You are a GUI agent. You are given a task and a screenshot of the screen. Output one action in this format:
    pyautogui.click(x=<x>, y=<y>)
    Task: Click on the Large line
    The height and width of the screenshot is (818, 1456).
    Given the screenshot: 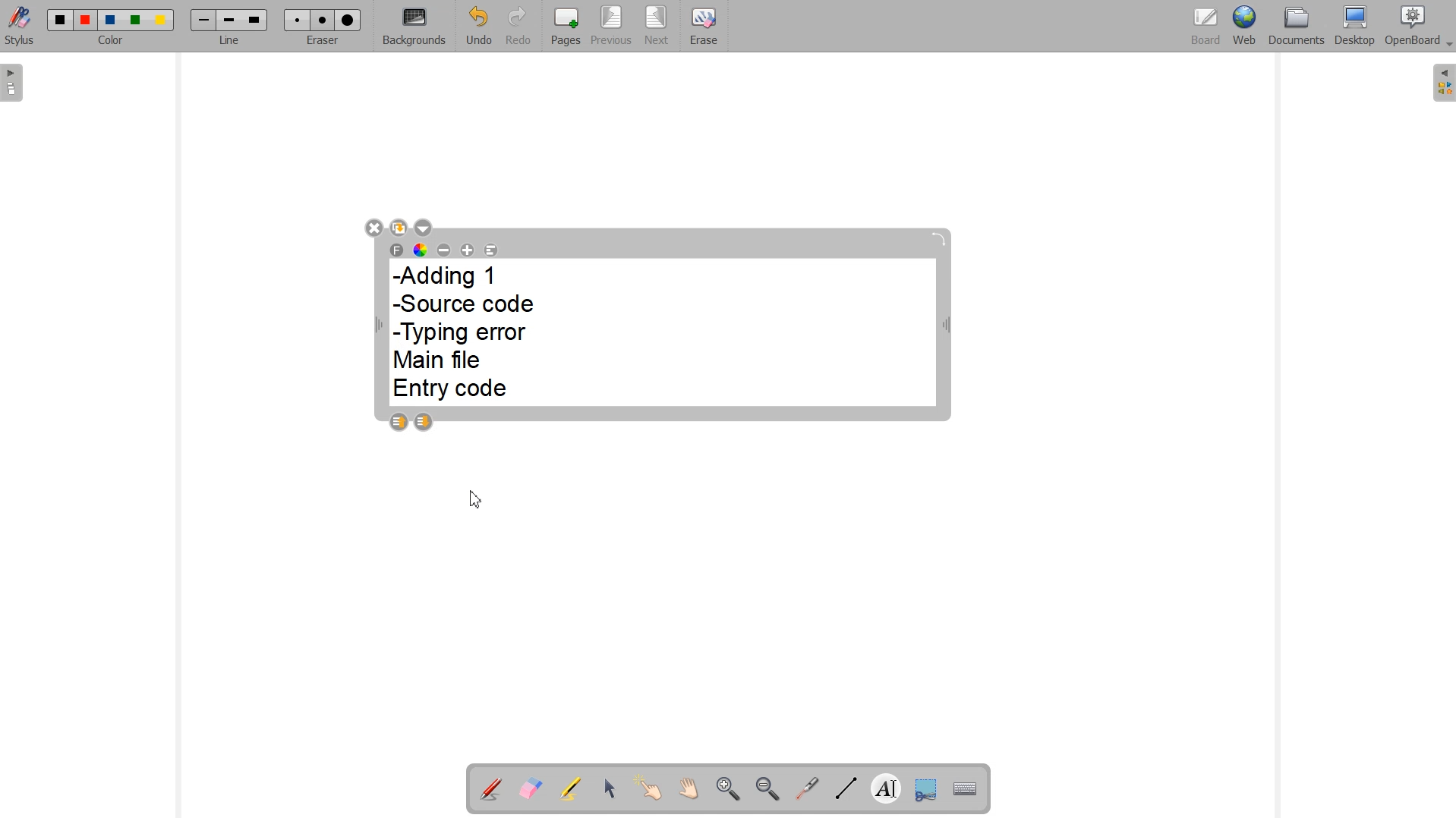 What is the action you would take?
    pyautogui.click(x=256, y=20)
    